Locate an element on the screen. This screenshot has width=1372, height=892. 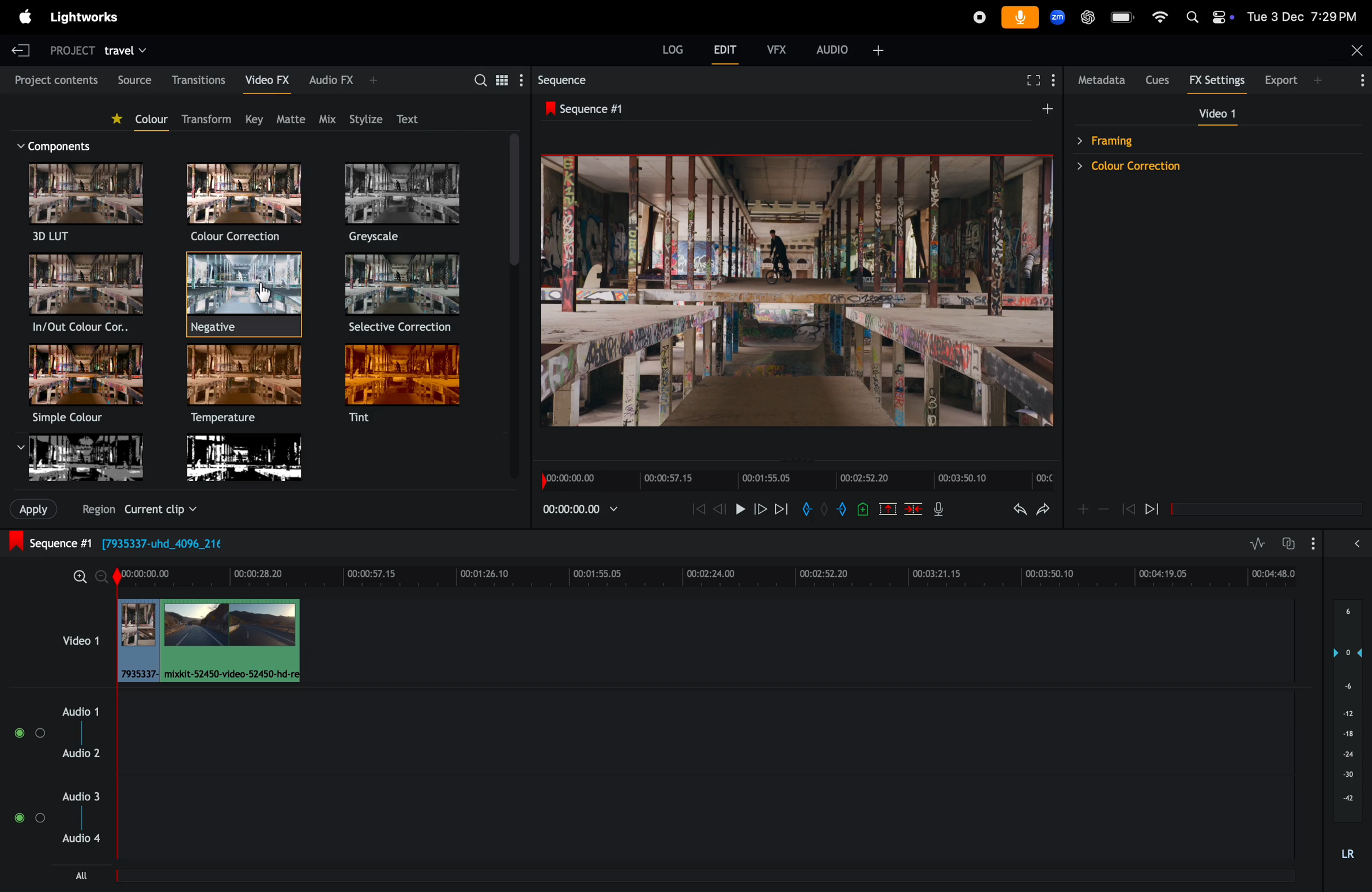
search is located at coordinates (478, 81).